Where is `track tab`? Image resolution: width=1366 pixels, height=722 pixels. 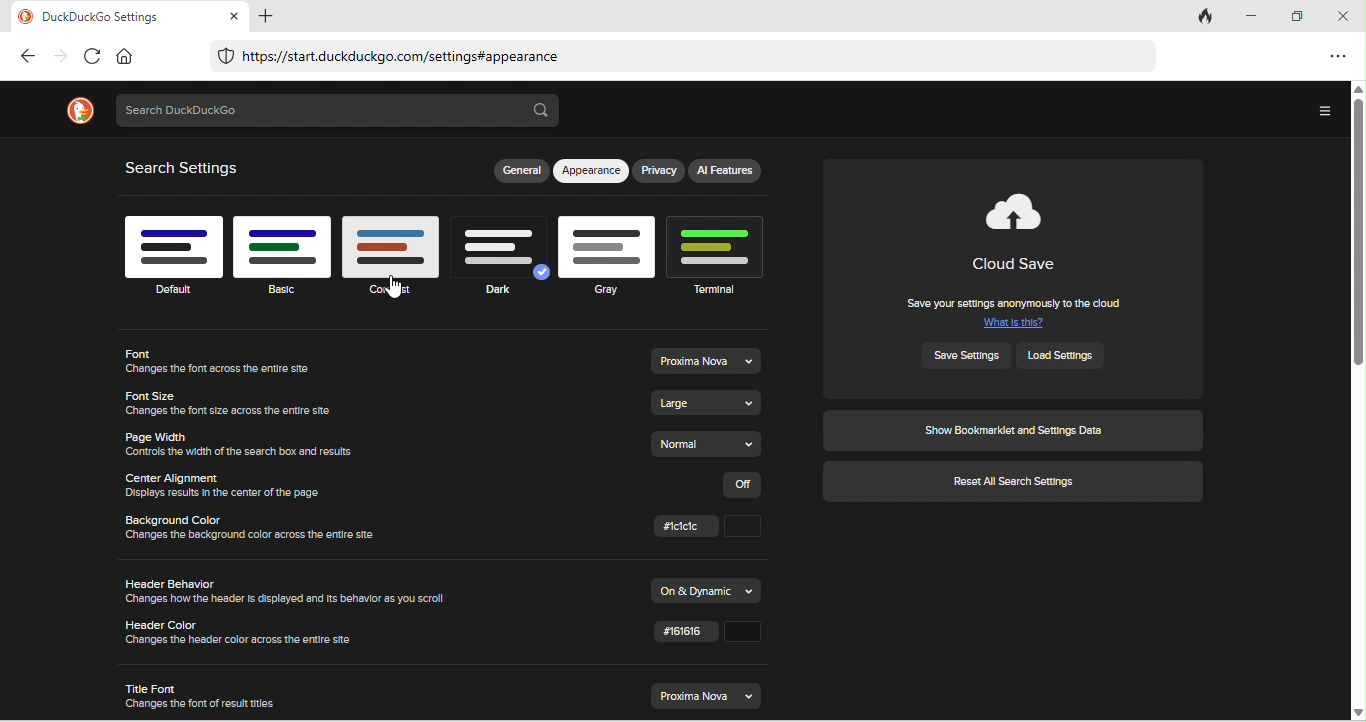 track tab is located at coordinates (1207, 18).